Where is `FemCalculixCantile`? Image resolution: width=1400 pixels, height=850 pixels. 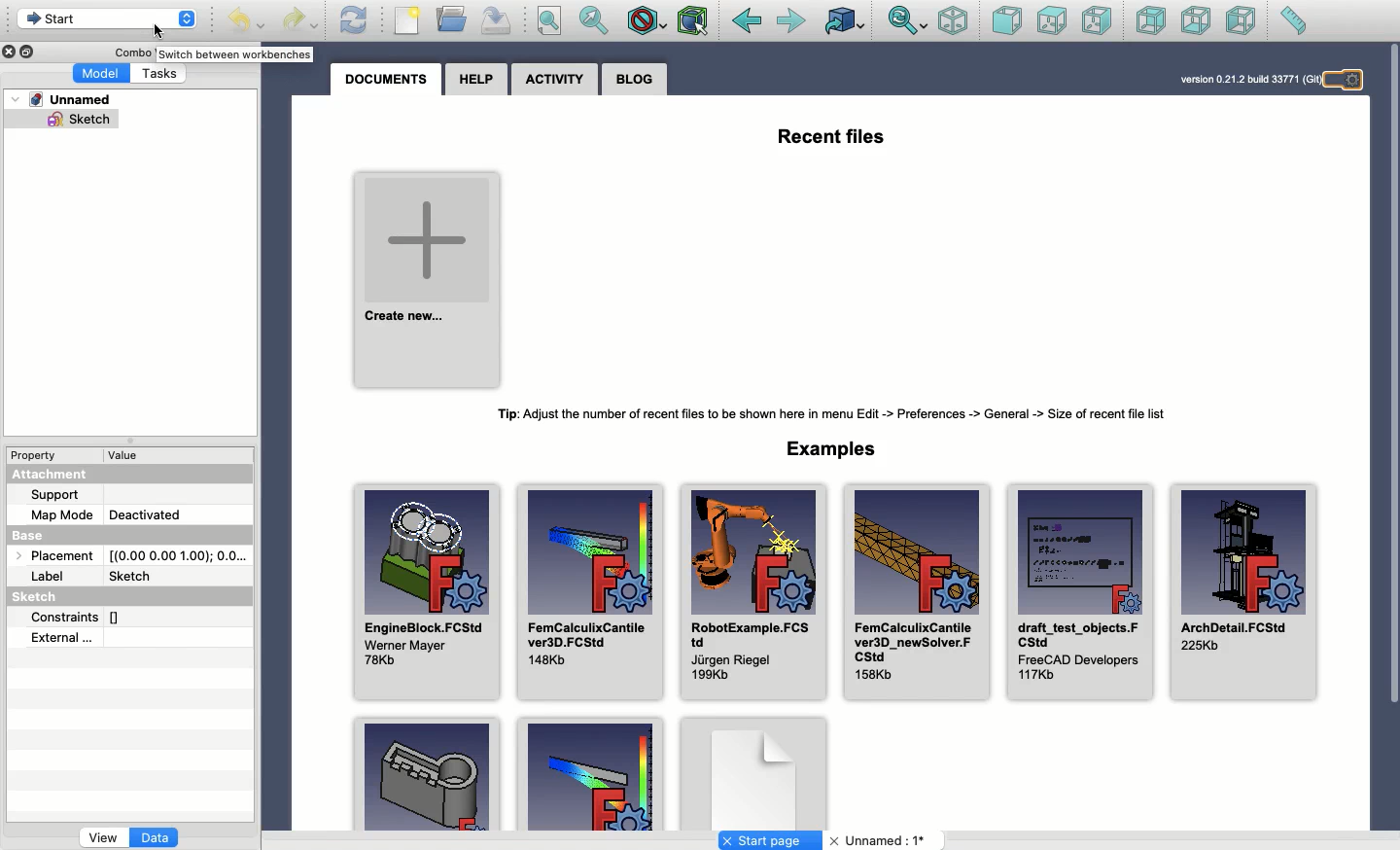 FemCalculixCantile is located at coordinates (915, 592).